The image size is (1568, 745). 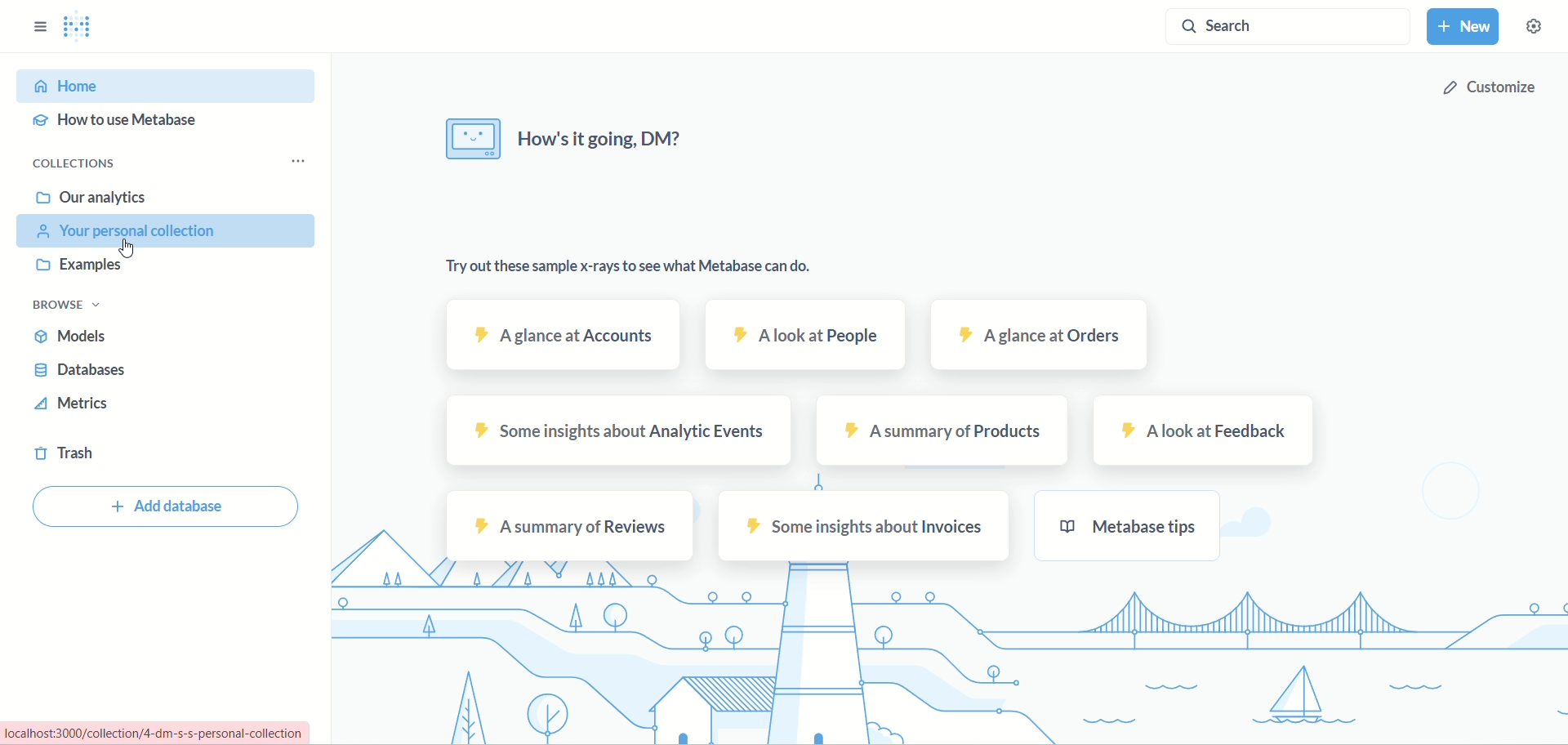 I want to click on examples, so click(x=86, y=266).